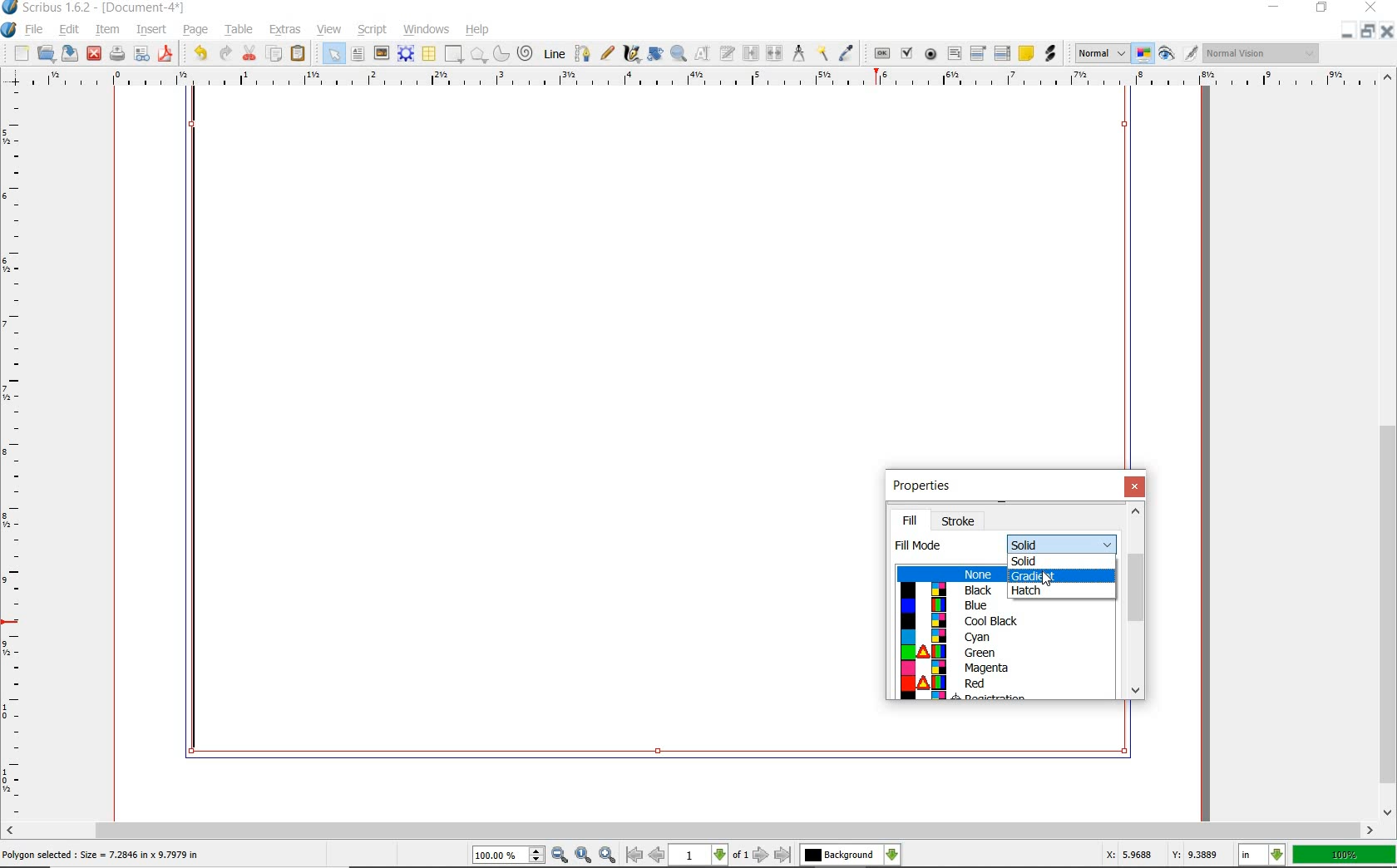 This screenshot has height=868, width=1397. I want to click on measurements, so click(798, 54).